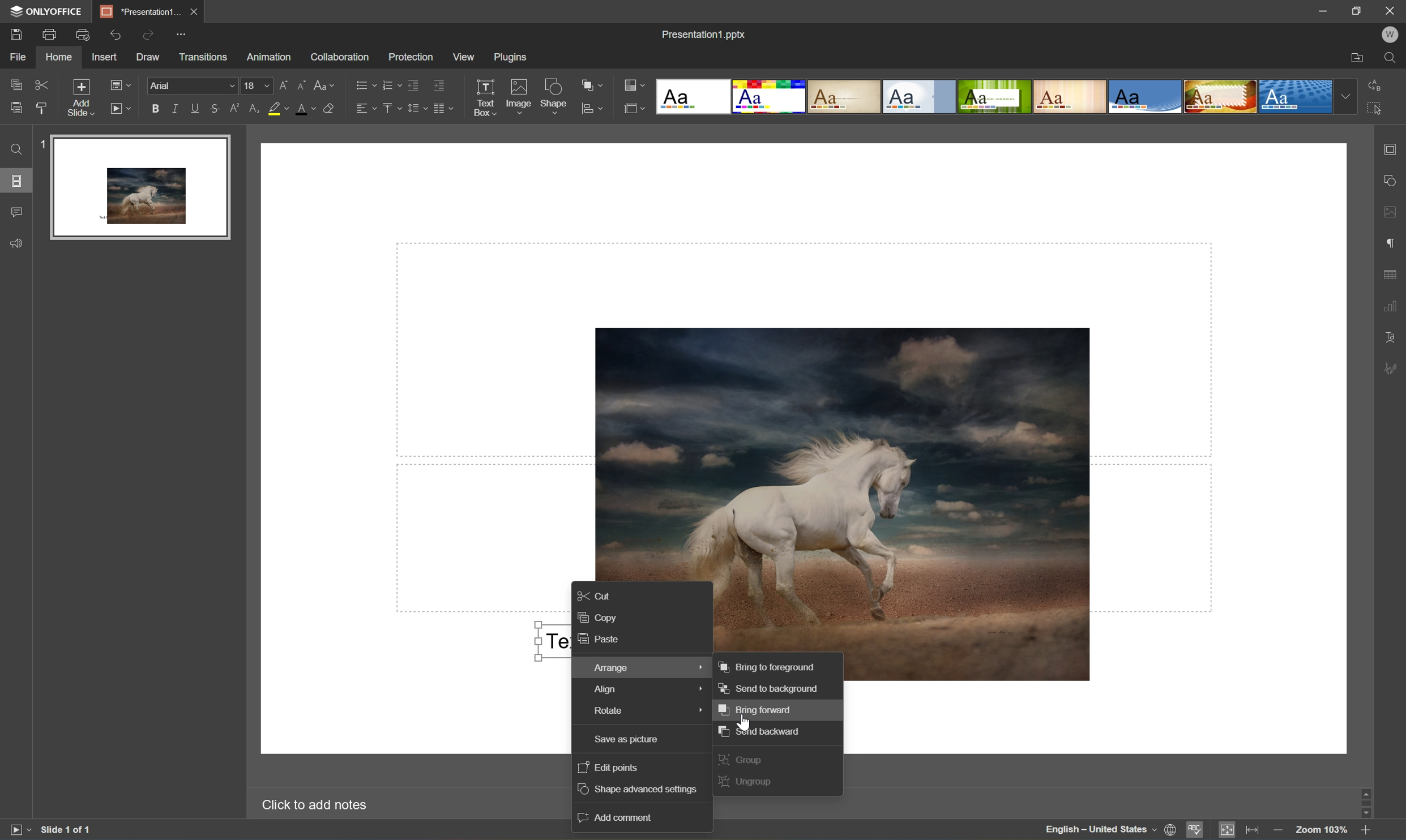 The height and width of the screenshot is (840, 1406). I want to click on Quick Print, so click(86, 33).